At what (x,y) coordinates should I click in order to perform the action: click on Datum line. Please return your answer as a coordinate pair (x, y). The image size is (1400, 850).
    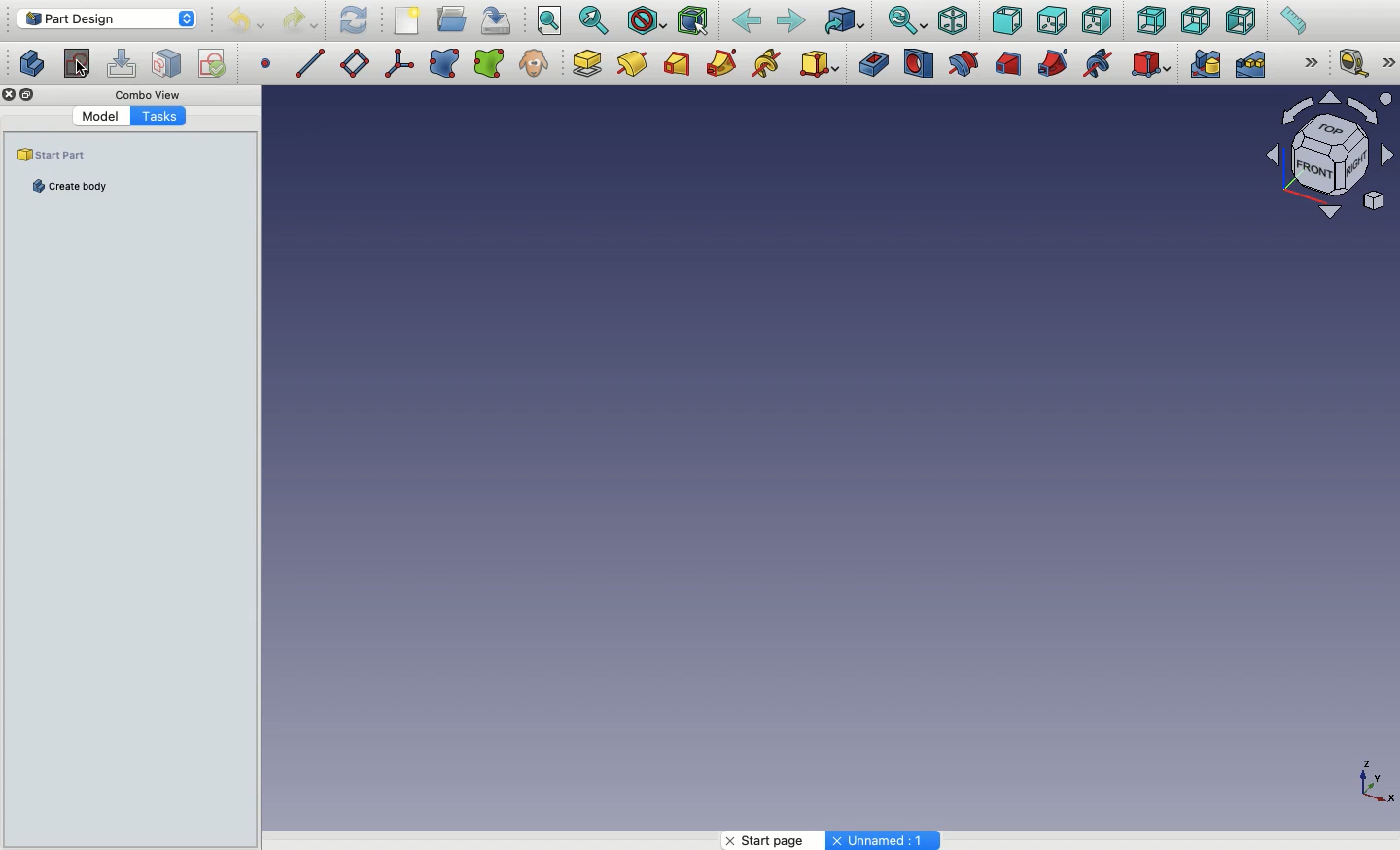
    Looking at the image, I should click on (311, 62).